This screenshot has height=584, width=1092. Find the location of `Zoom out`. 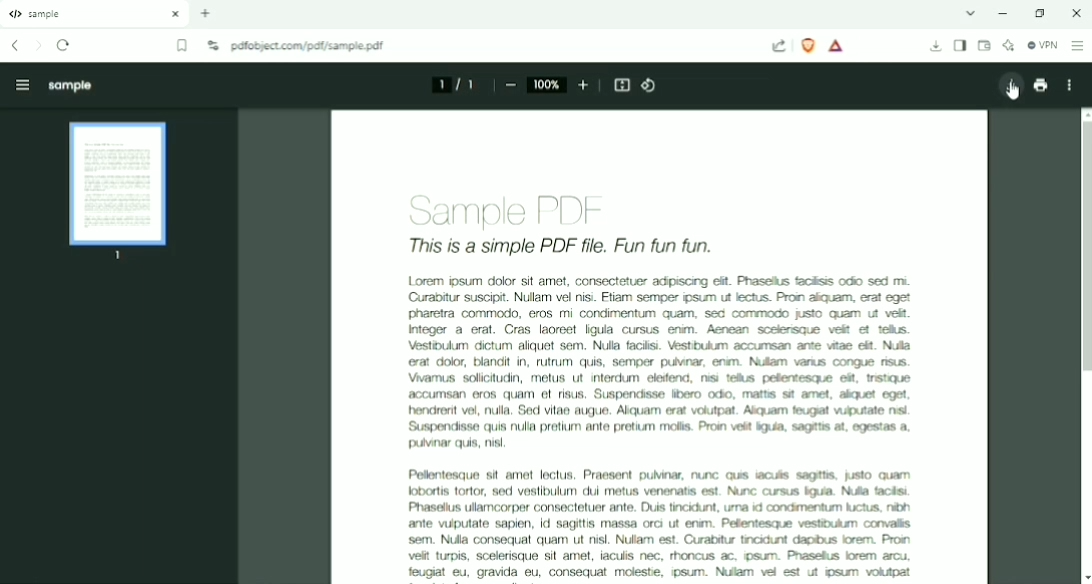

Zoom out is located at coordinates (510, 86).